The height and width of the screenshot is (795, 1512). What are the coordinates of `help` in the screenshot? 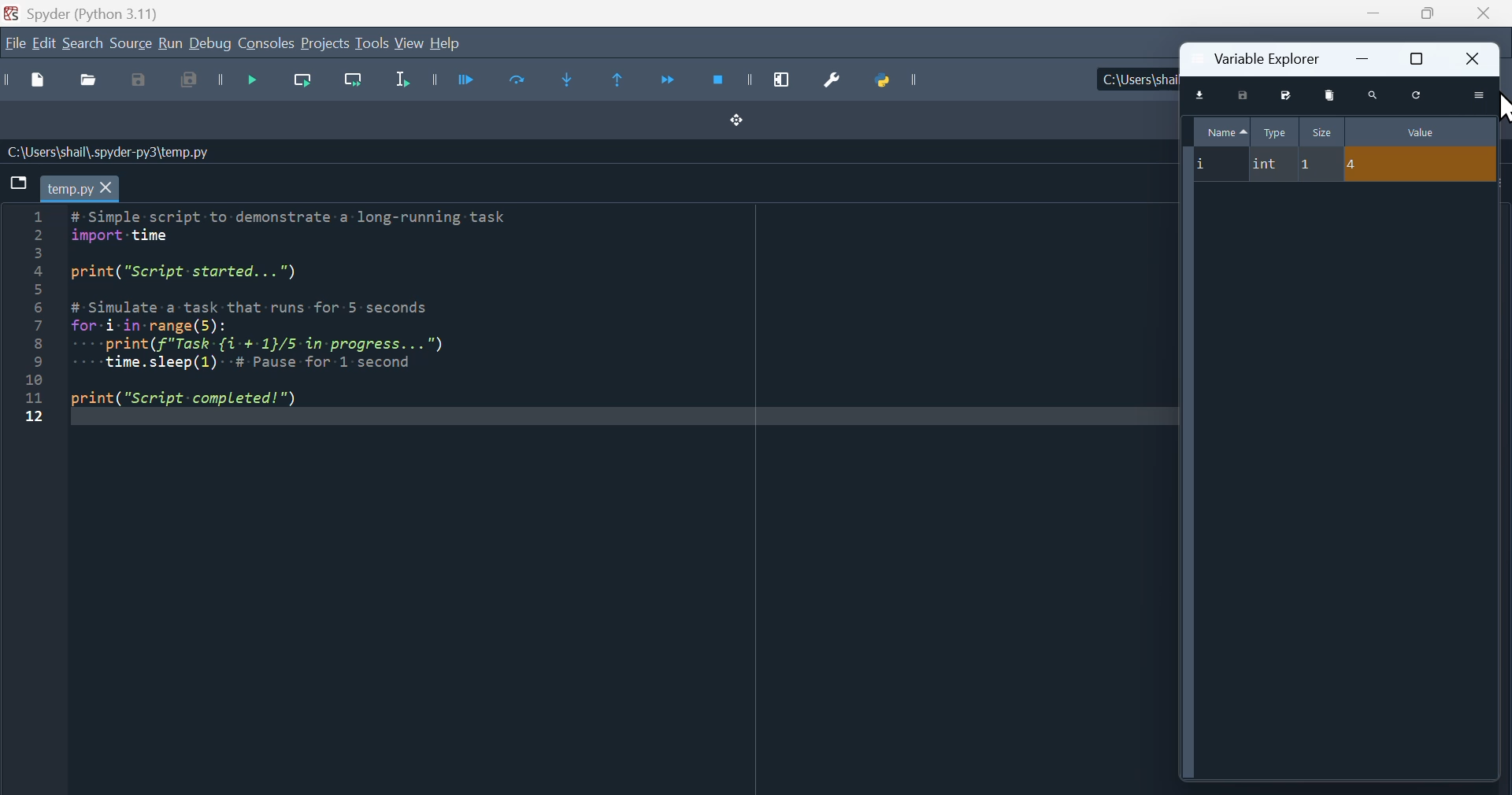 It's located at (446, 43).